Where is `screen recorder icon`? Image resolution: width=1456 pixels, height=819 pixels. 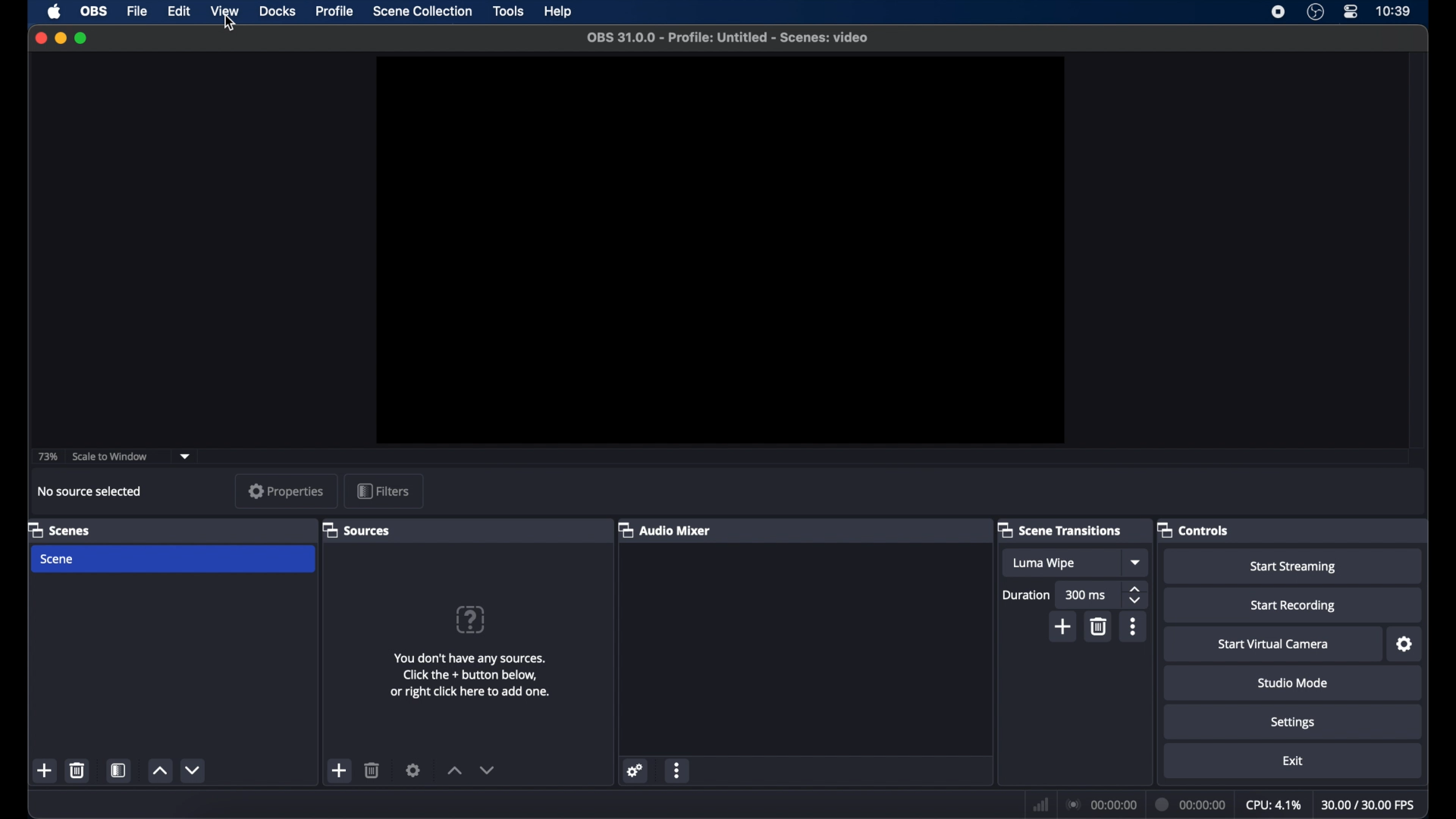
screen recorder icon is located at coordinates (1279, 13).